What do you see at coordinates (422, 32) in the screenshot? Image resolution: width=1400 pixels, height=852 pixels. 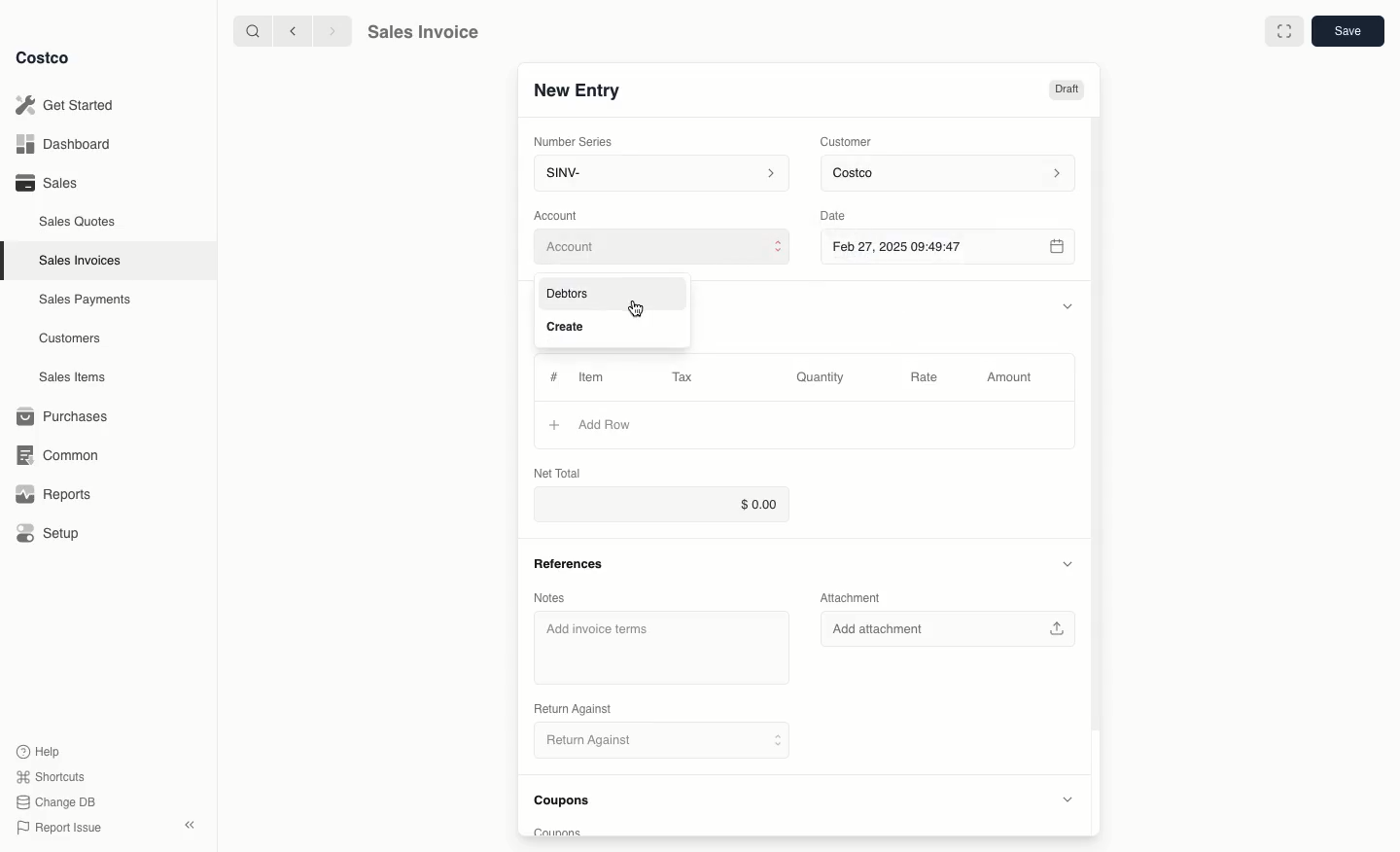 I see `Sales Invoice` at bounding box center [422, 32].